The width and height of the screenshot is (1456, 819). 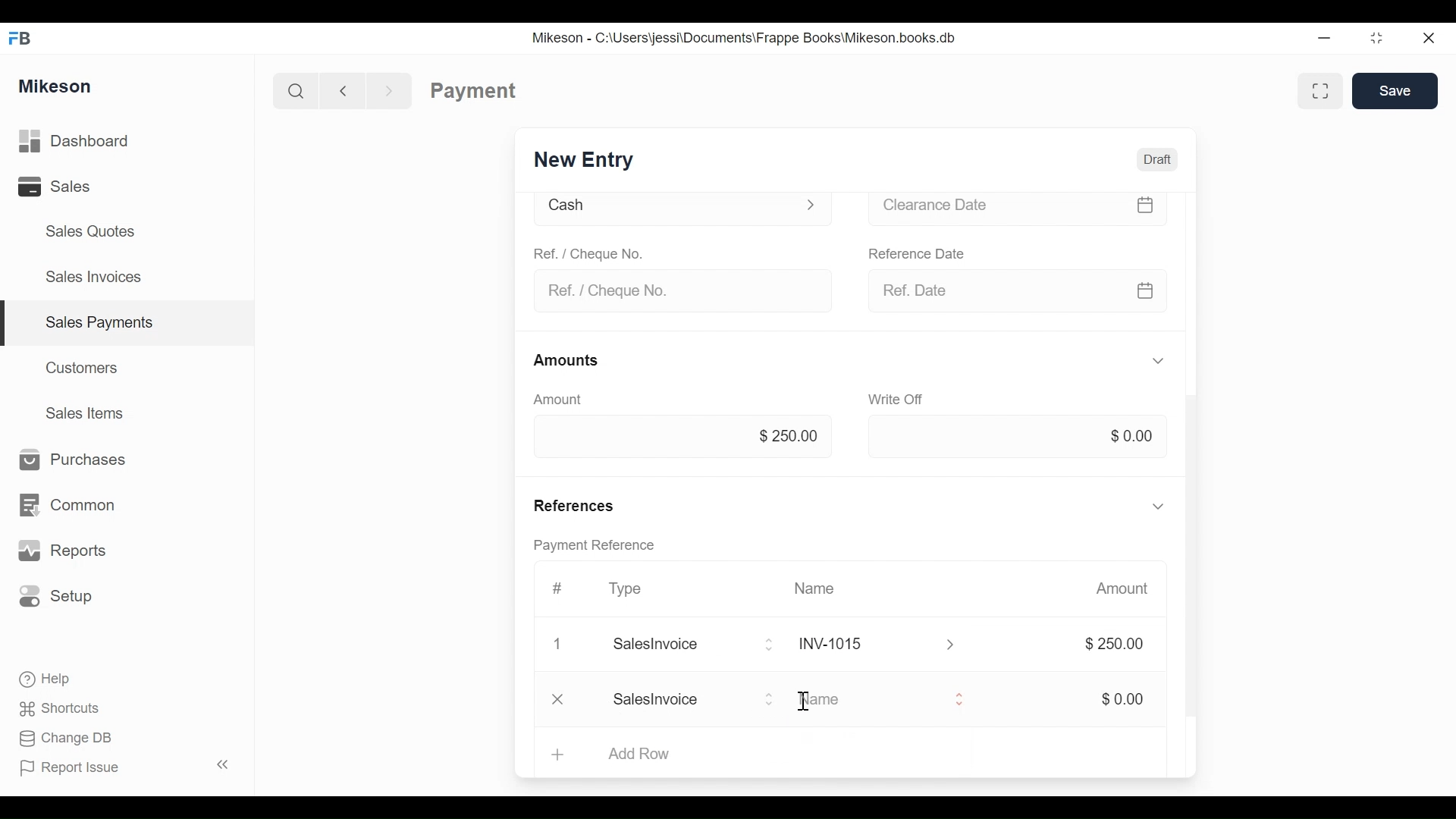 I want to click on Help, so click(x=56, y=679).